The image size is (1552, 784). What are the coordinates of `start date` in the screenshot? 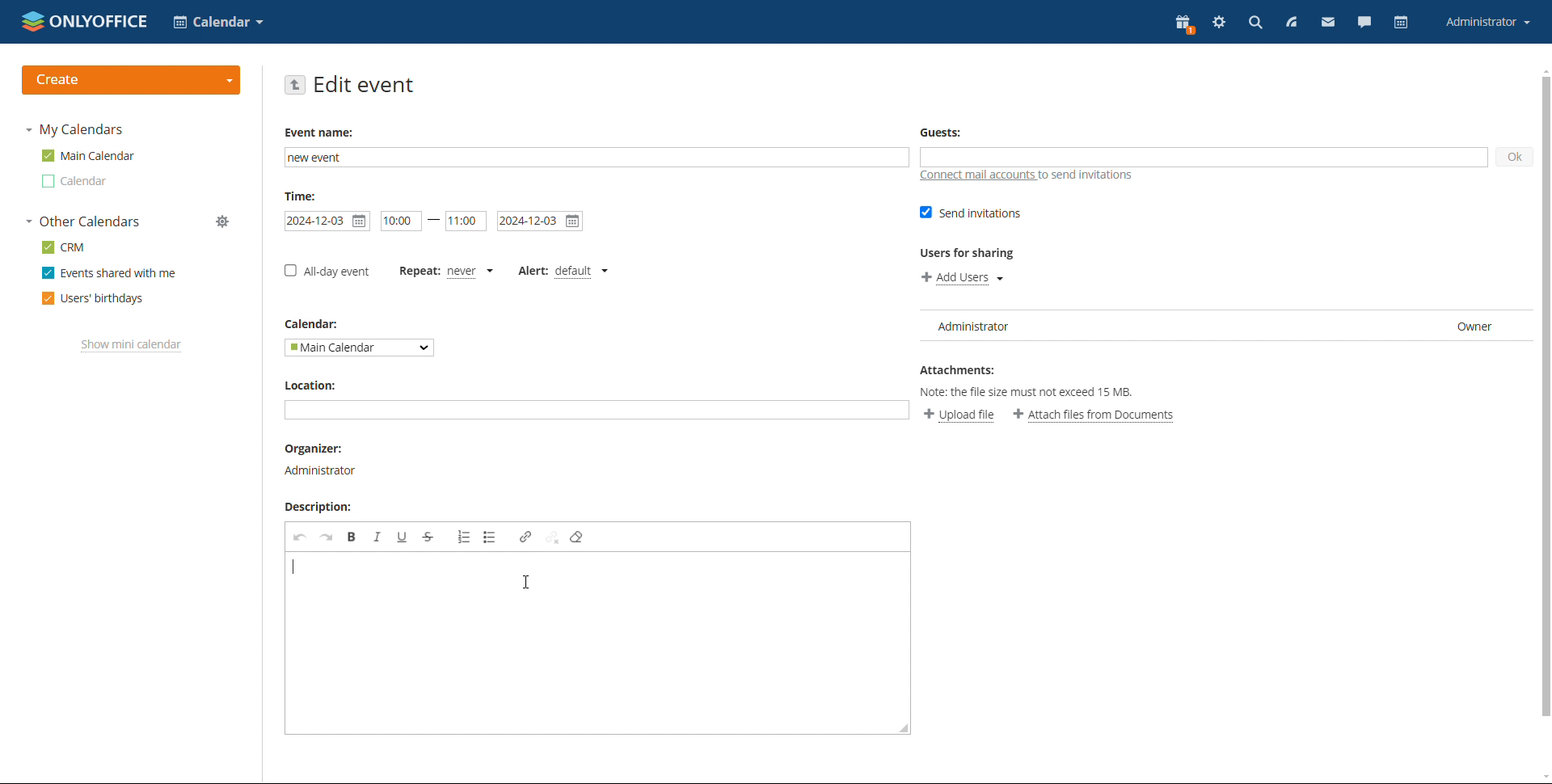 It's located at (327, 221).